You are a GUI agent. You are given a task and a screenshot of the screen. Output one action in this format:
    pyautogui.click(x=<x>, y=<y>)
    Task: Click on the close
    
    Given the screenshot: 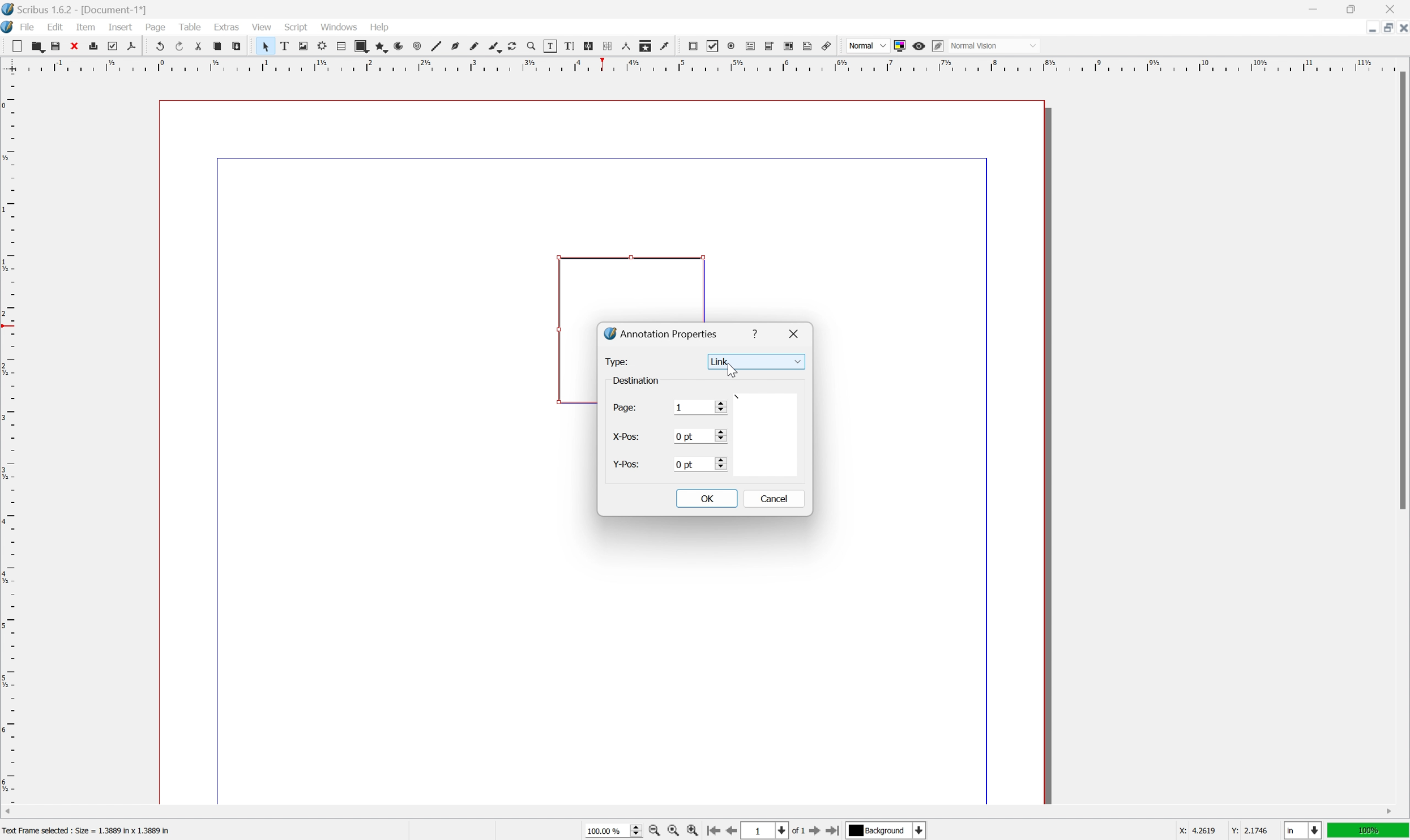 What is the action you would take?
    pyautogui.click(x=1391, y=9)
    